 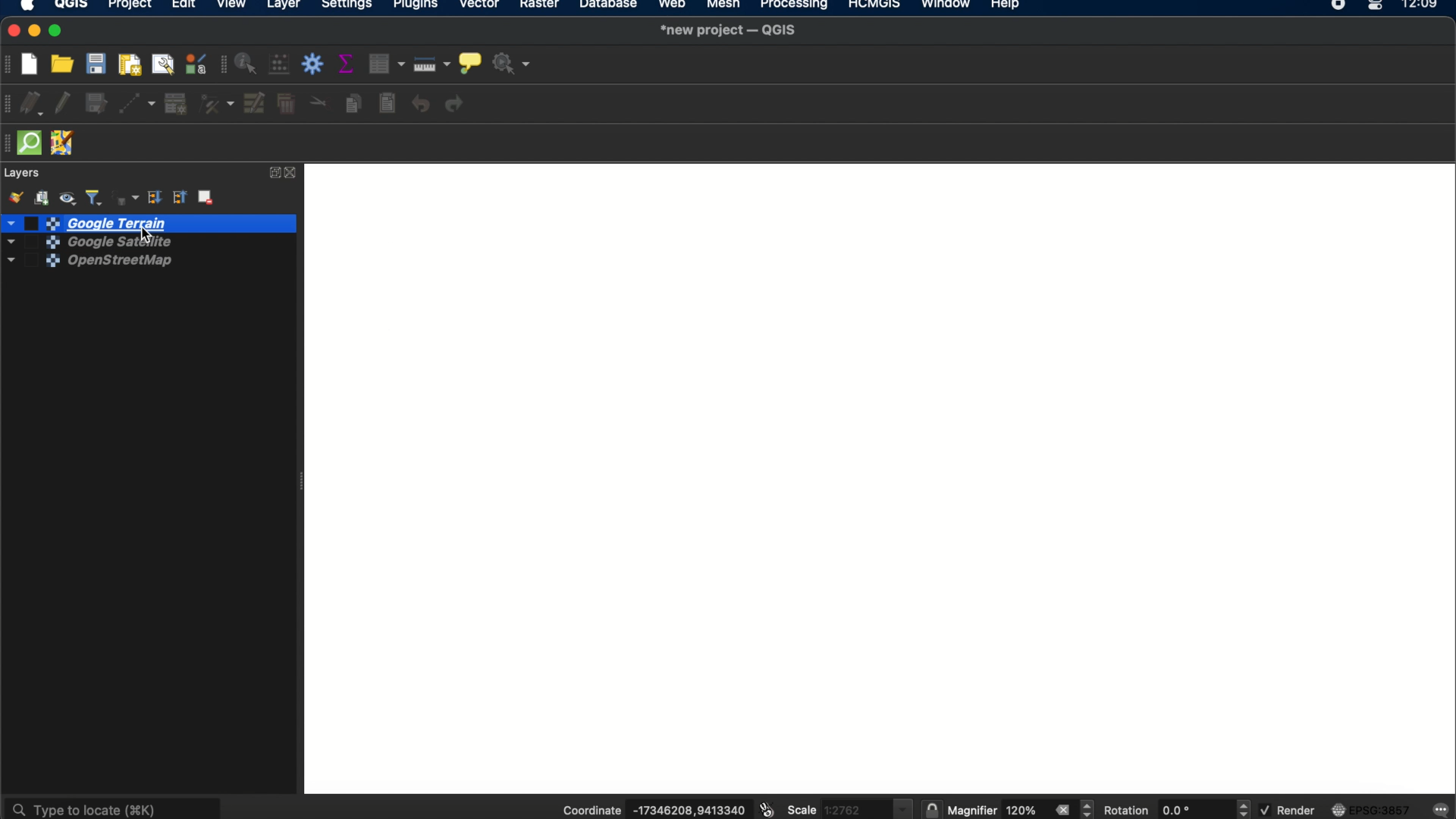 What do you see at coordinates (63, 105) in the screenshot?
I see `toggle editing` at bounding box center [63, 105].